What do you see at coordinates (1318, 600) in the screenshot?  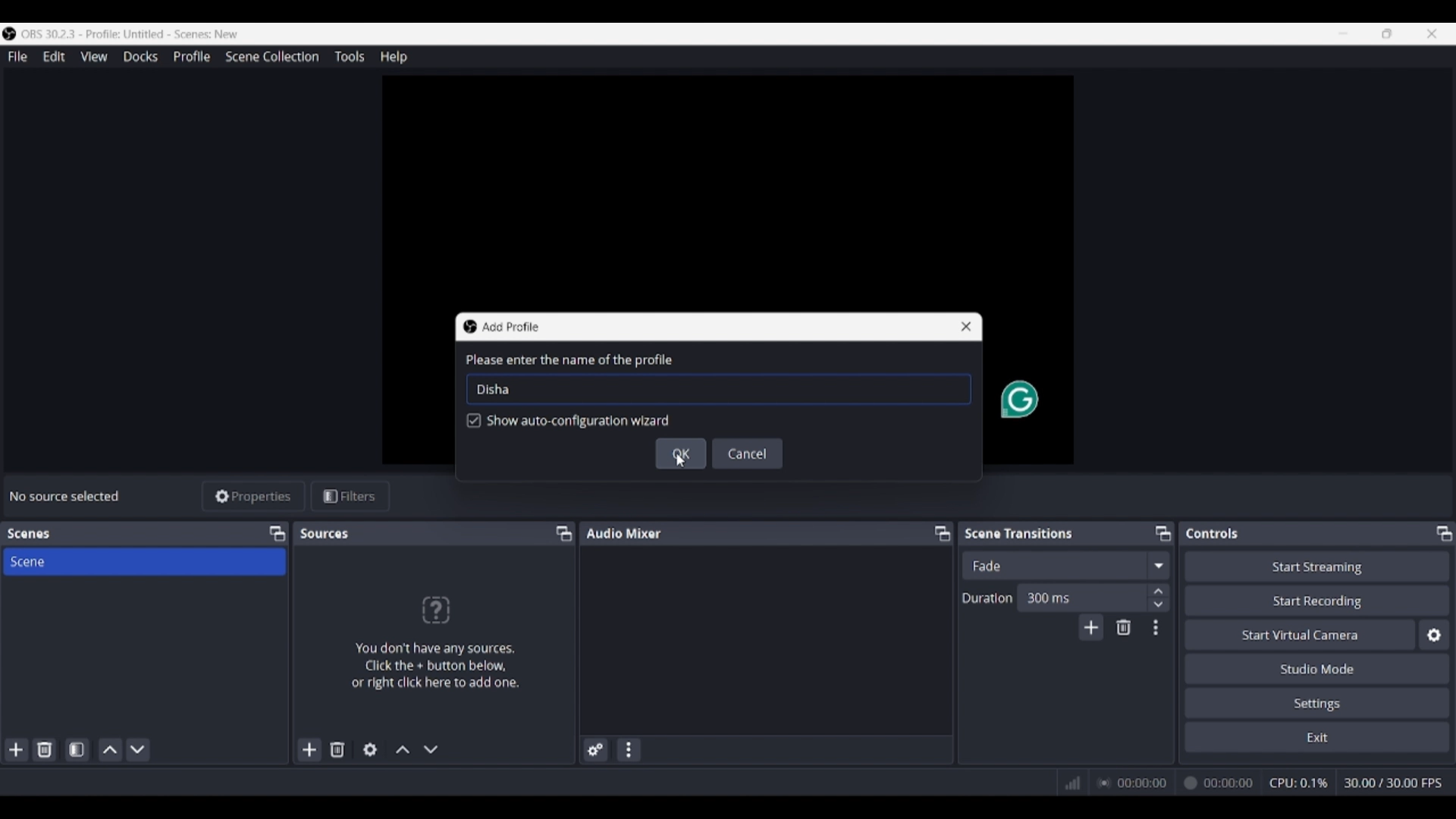 I see `Start recording` at bounding box center [1318, 600].